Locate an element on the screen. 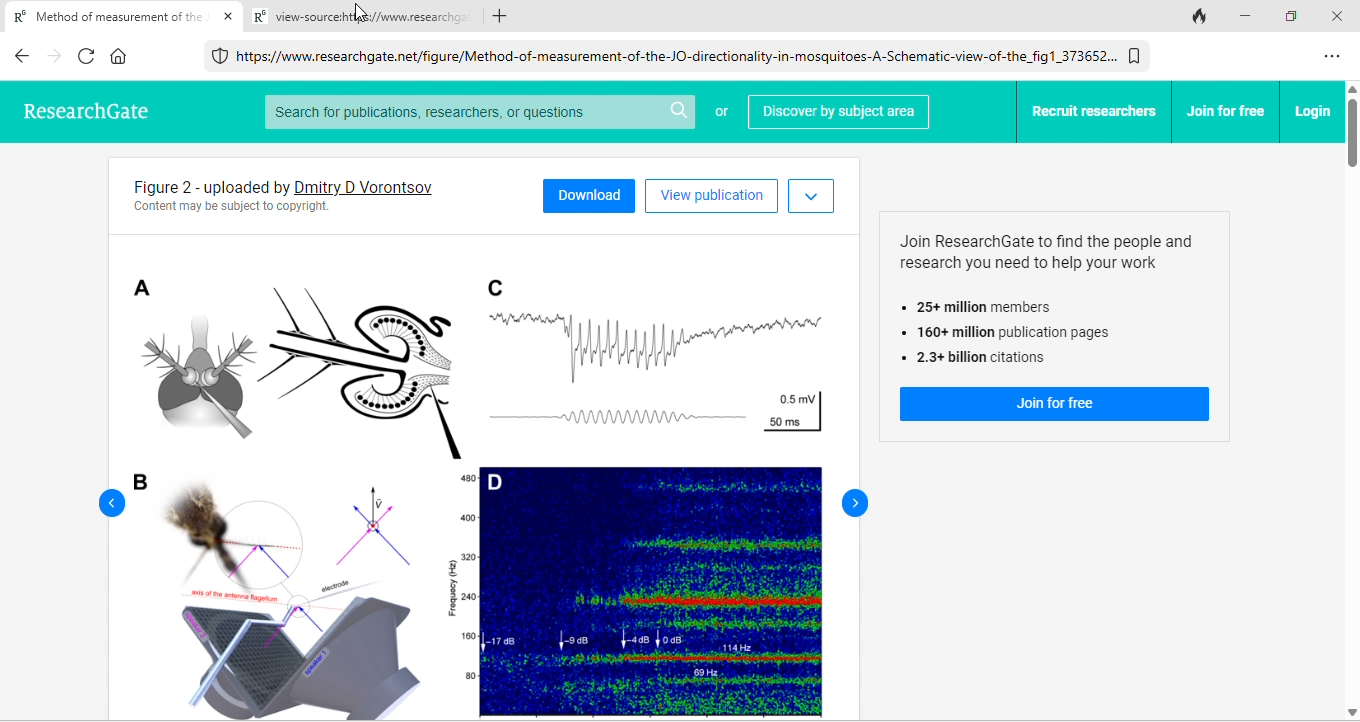  Figure 2 - uploaded by Dmitry D Vorontsov is located at coordinates (203, 187).